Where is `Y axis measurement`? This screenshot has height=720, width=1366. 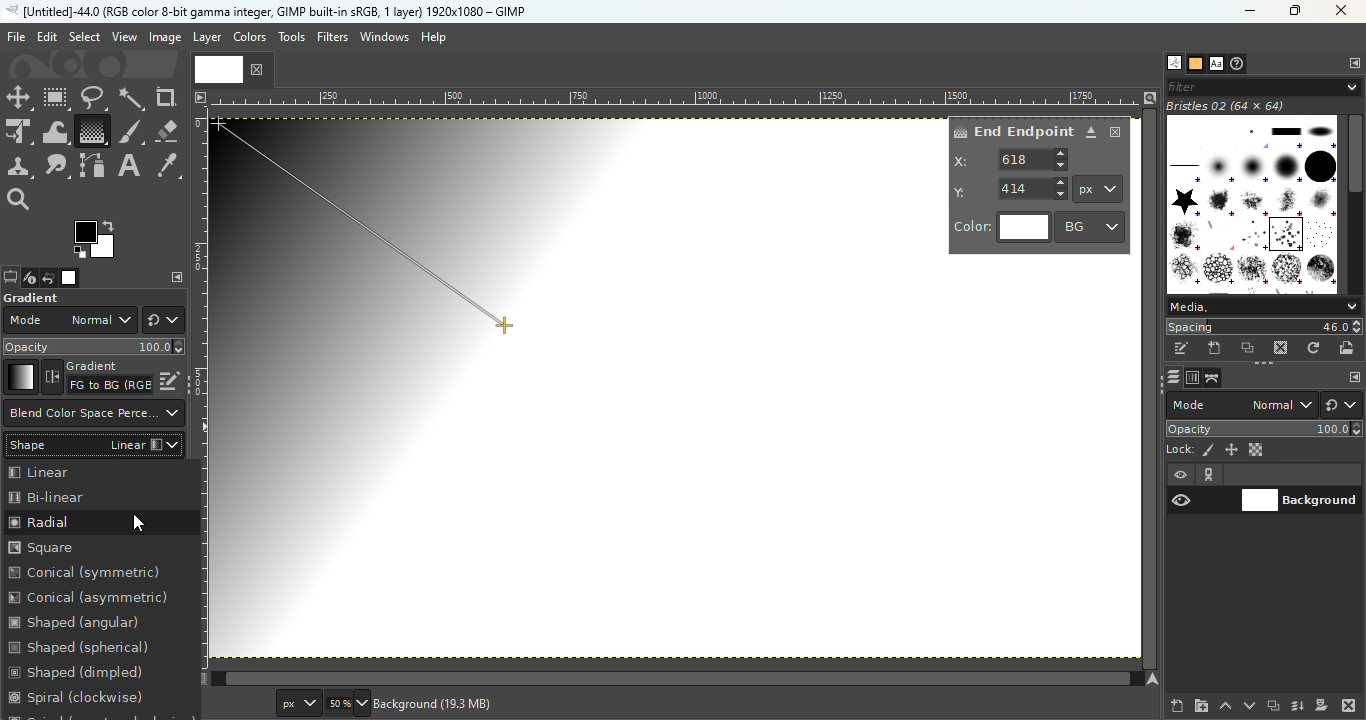
Y axis measurement is located at coordinates (1011, 187).